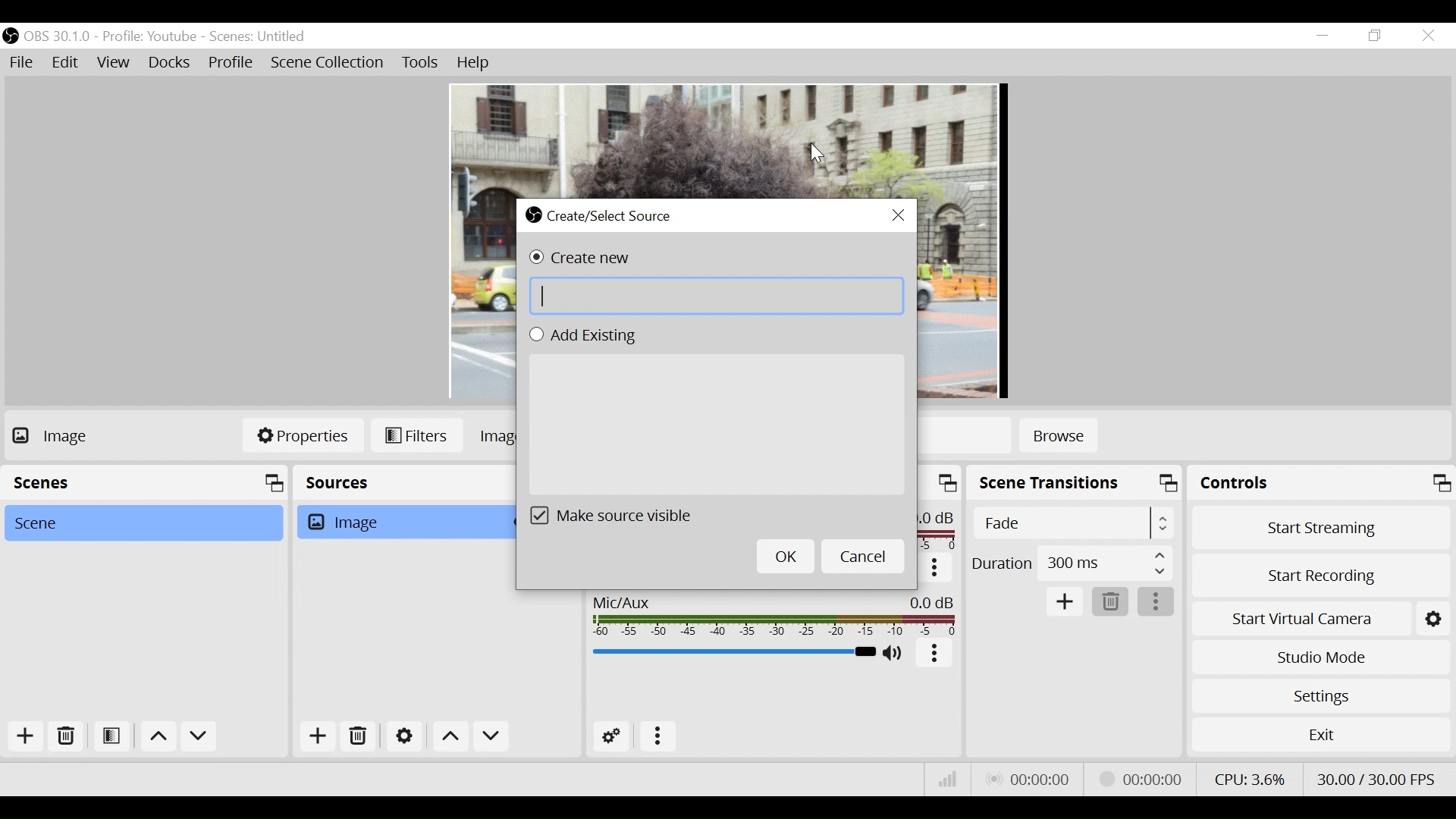 This screenshot has height=819, width=1456. What do you see at coordinates (1109, 602) in the screenshot?
I see `Delete` at bounding box center [1109, 602].